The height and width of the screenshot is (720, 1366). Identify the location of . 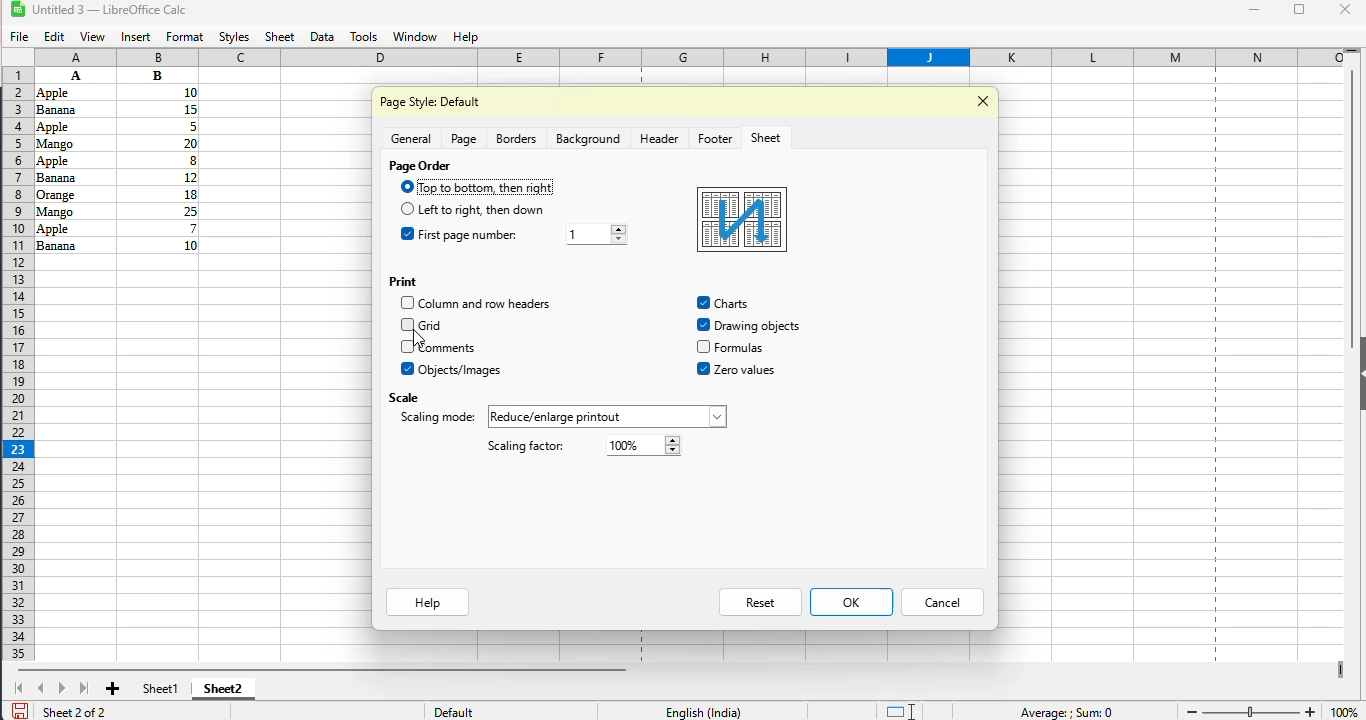
(71, 110).